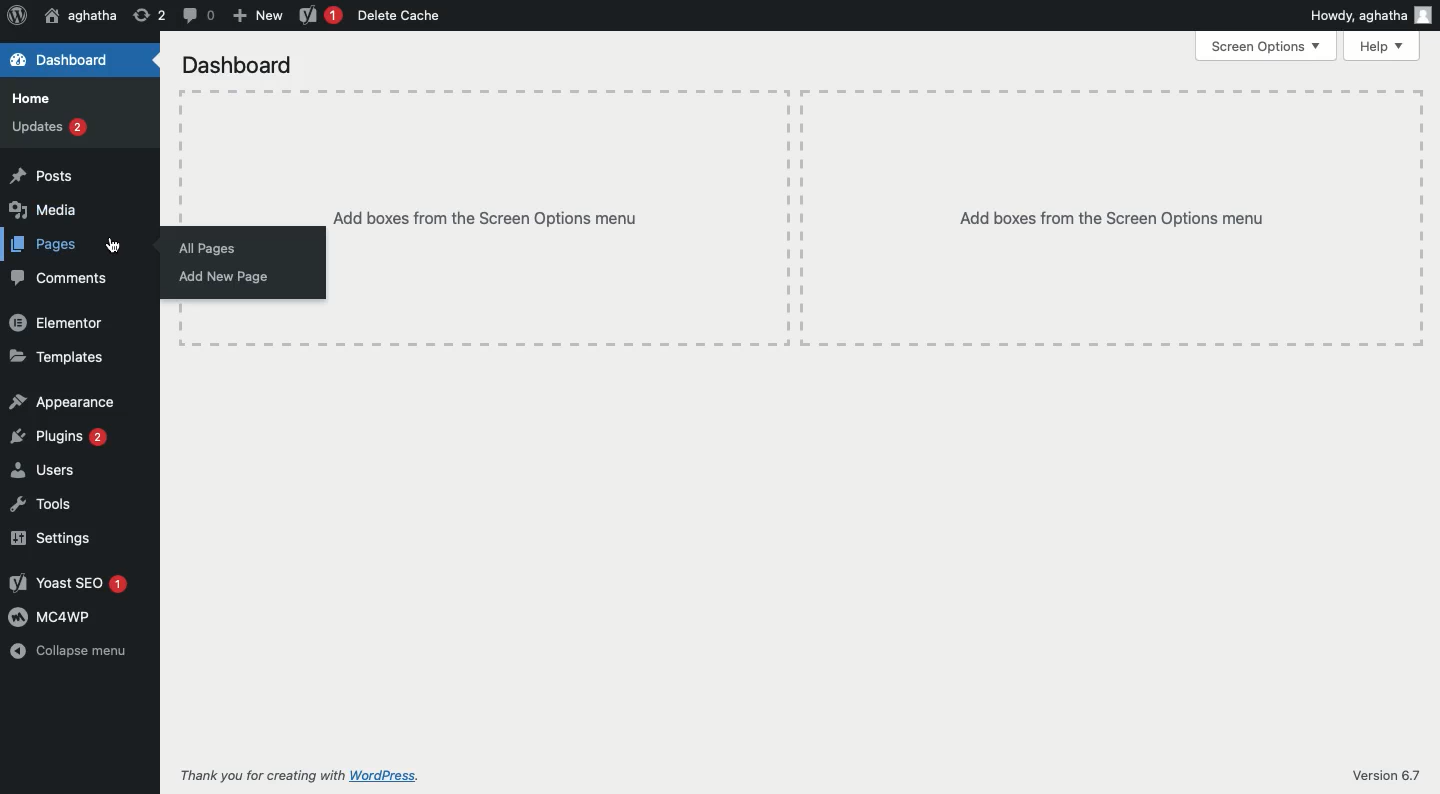  I want to click on Users, so click(65, 470).